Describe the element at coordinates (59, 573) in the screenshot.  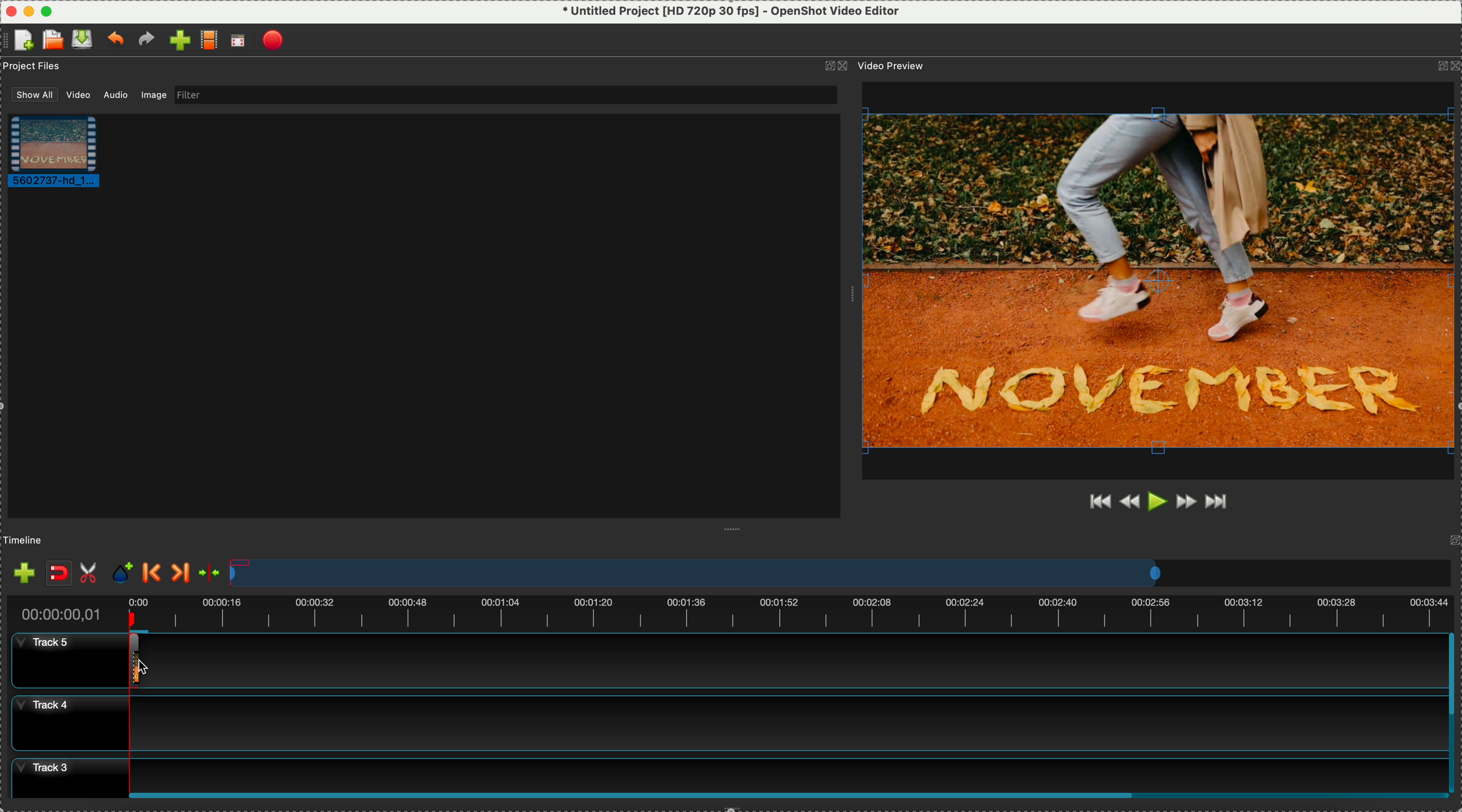
I see `disable snaping` at that location.